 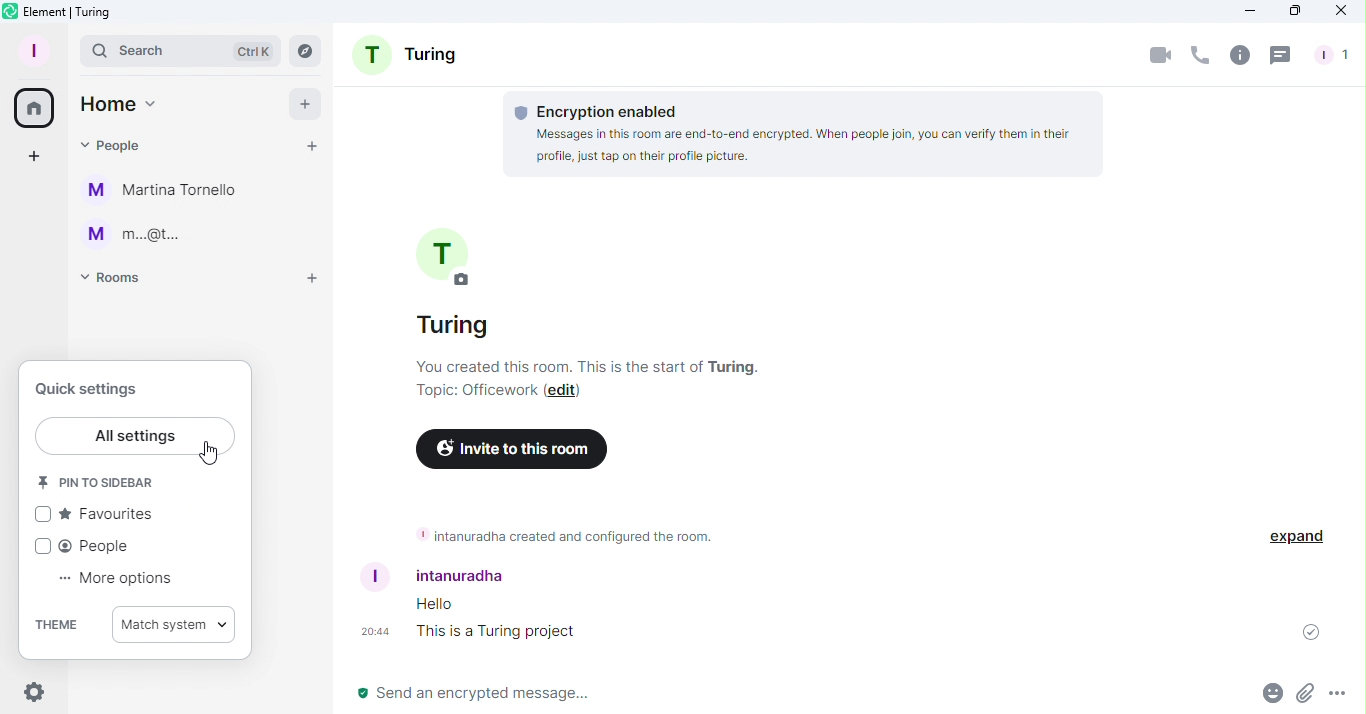 I want to click on Room information, so click(x=562, y=535).